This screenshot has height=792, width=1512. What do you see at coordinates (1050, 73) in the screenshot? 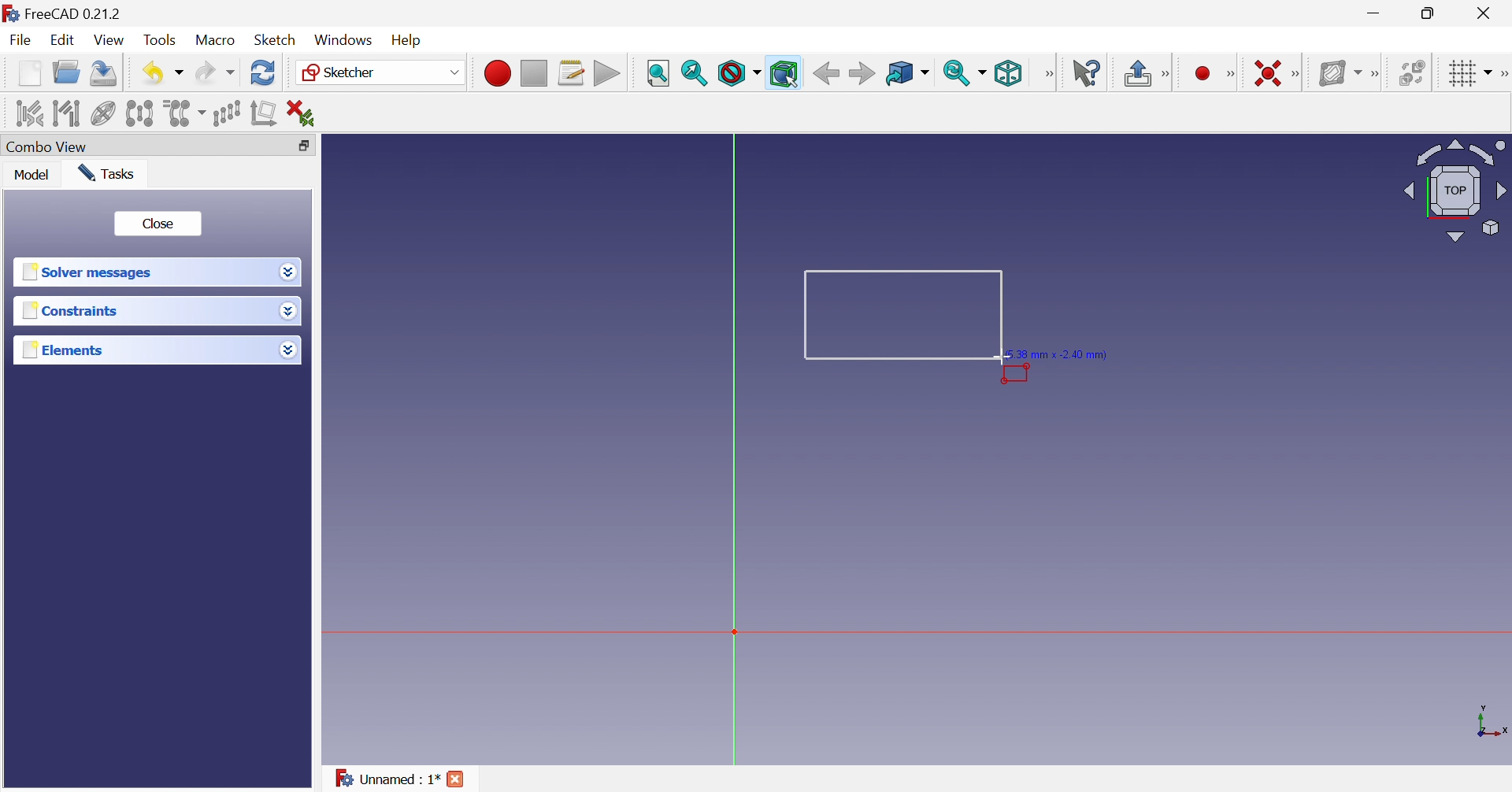
I see `View` at bounding box center [1050, 73].